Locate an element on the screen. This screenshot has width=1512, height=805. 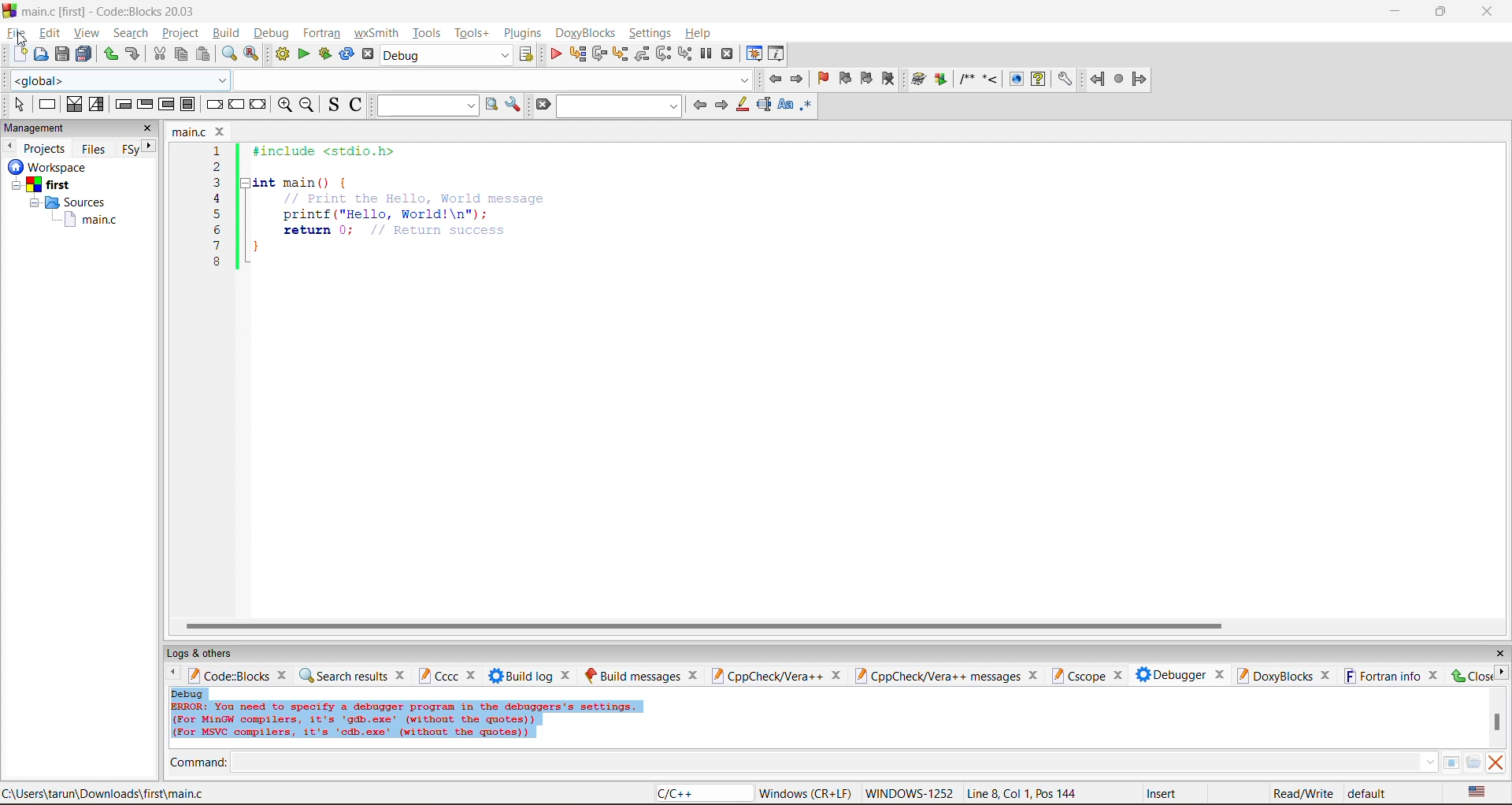
cccc is located at coordinates (438, 675).